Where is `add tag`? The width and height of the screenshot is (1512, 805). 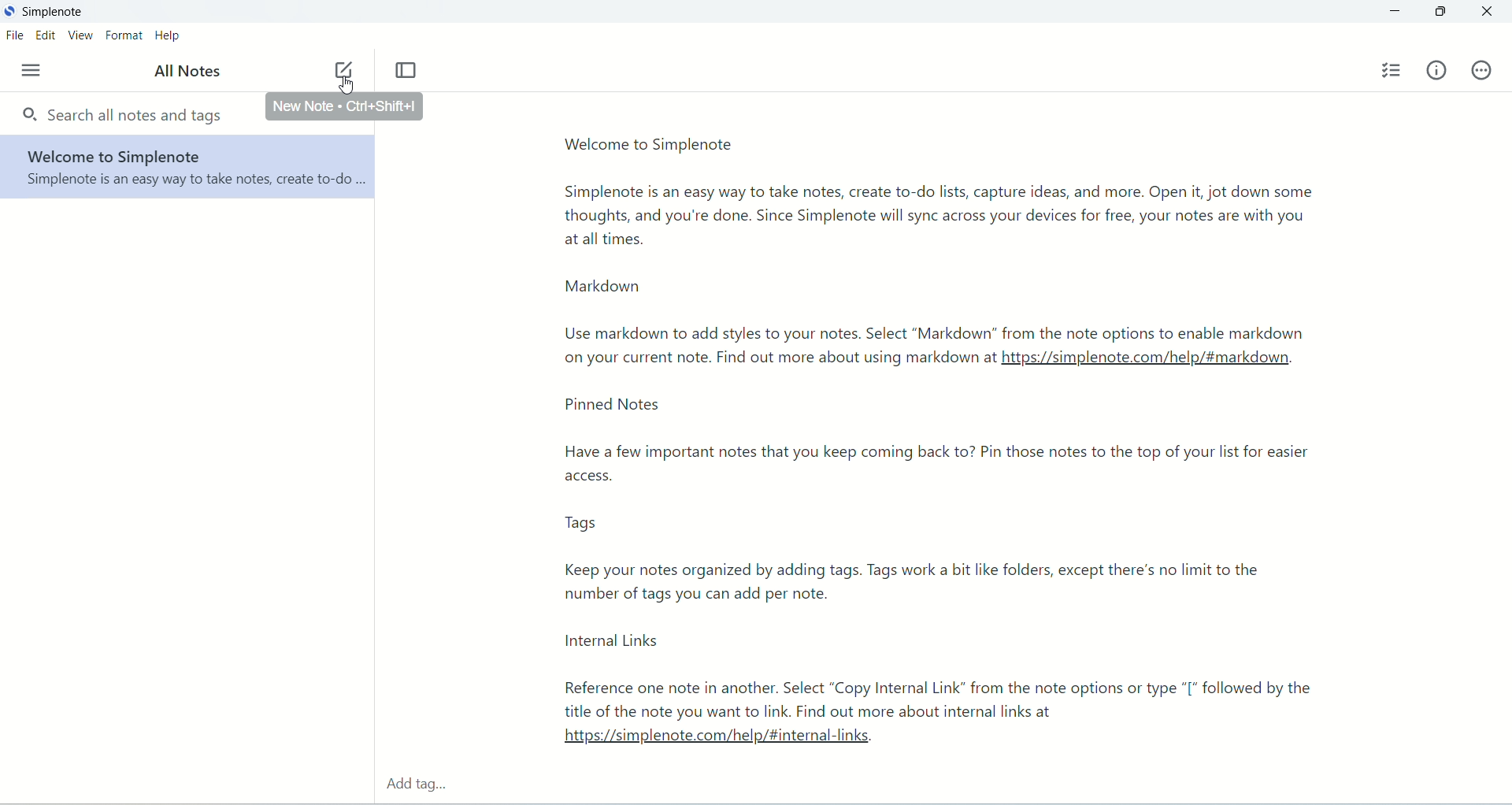 add tag is located at coordinates (424, 785).